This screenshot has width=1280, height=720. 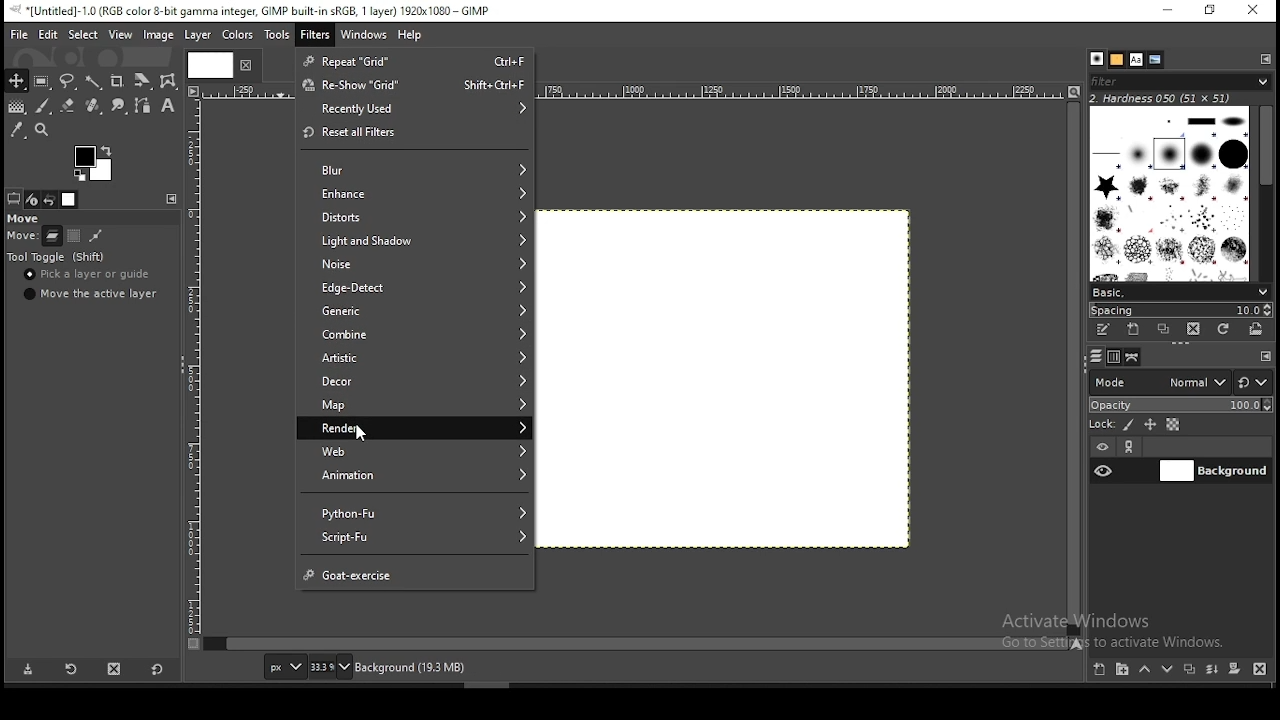 What do you see at coordinates (413, 427) in the screenshot?
I see `render` at bounding box center [413, 427].